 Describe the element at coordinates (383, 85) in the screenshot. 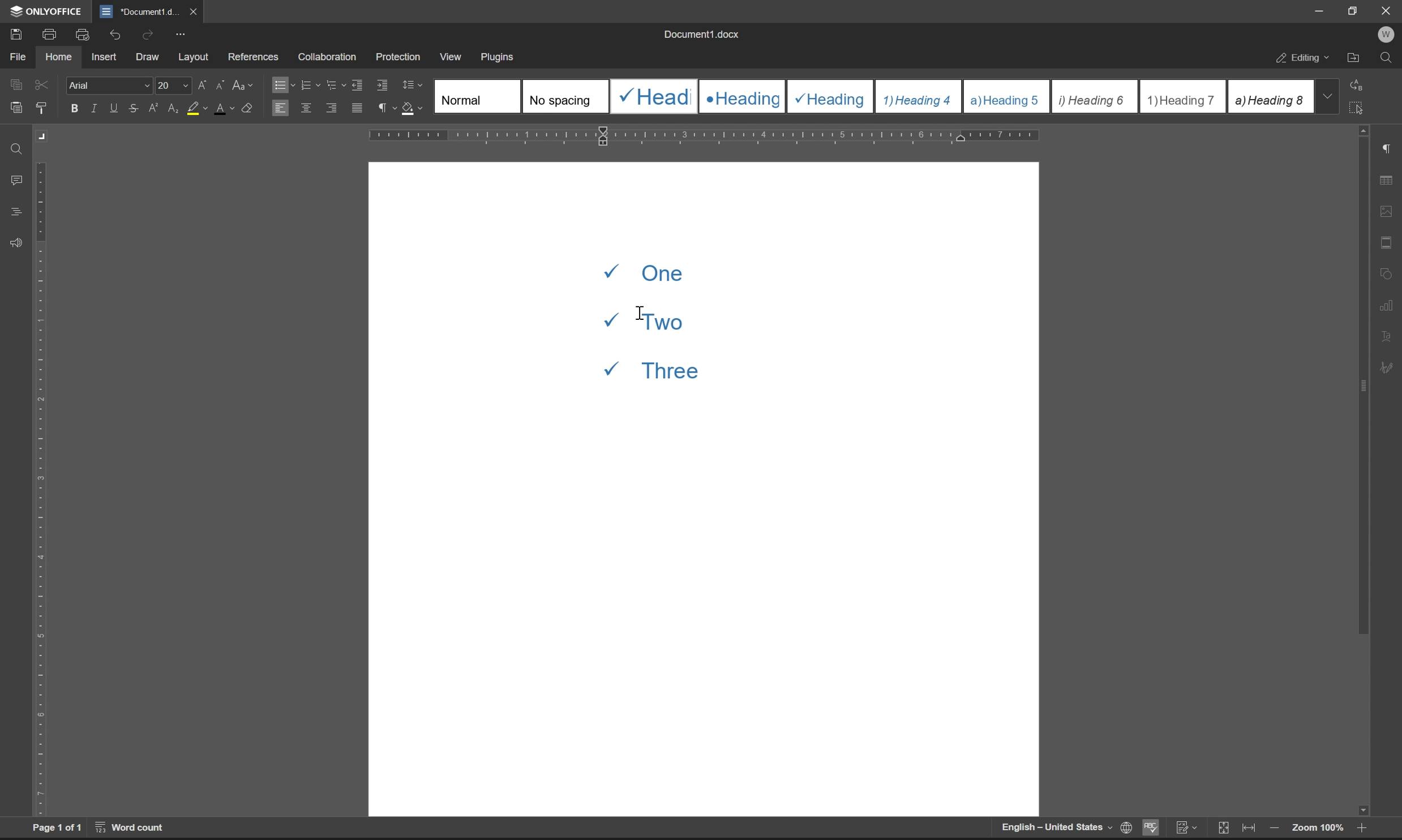

I see `increase indent` at that location.